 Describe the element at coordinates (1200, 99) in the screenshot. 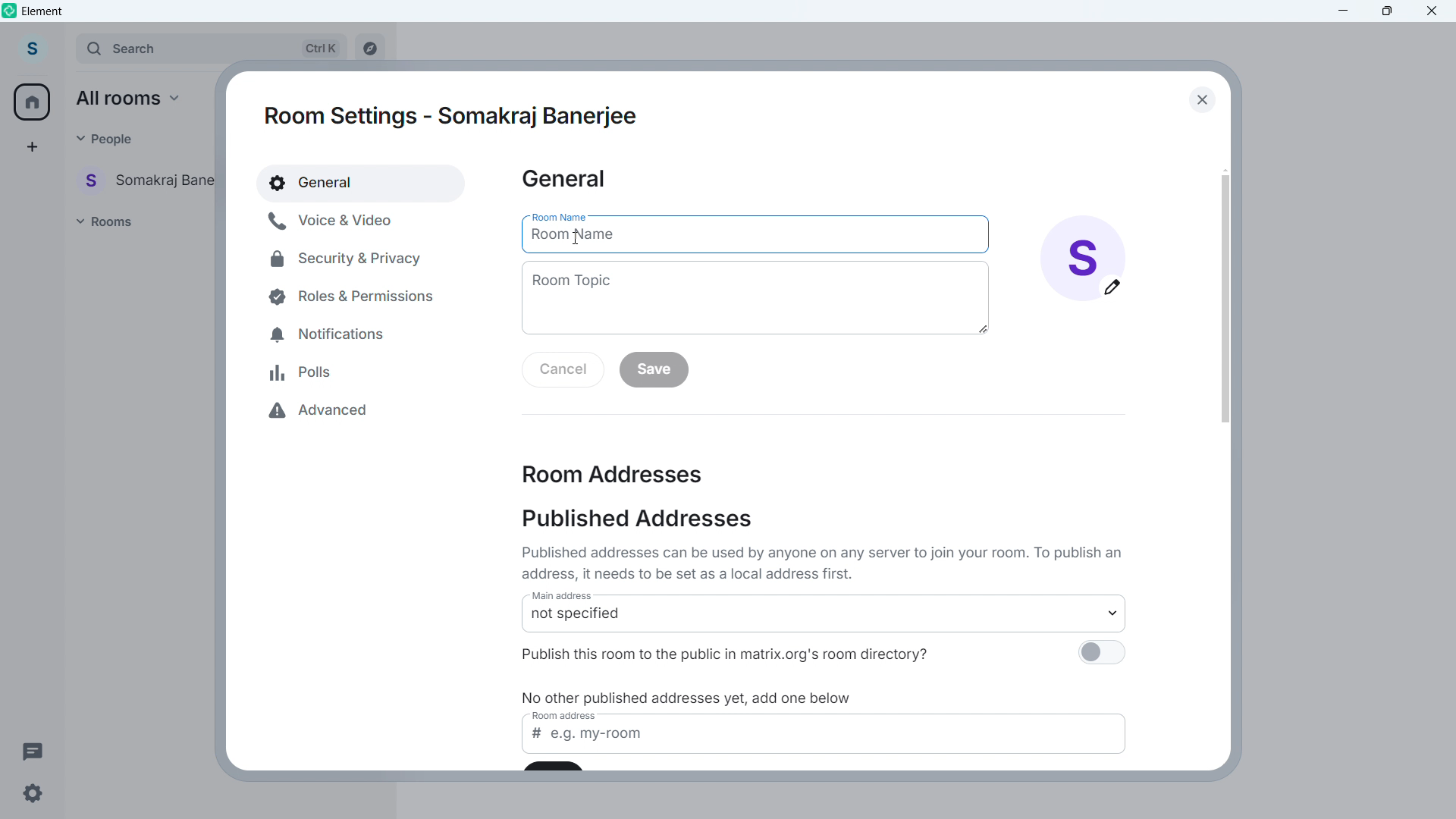

I see `Close ` at that location.